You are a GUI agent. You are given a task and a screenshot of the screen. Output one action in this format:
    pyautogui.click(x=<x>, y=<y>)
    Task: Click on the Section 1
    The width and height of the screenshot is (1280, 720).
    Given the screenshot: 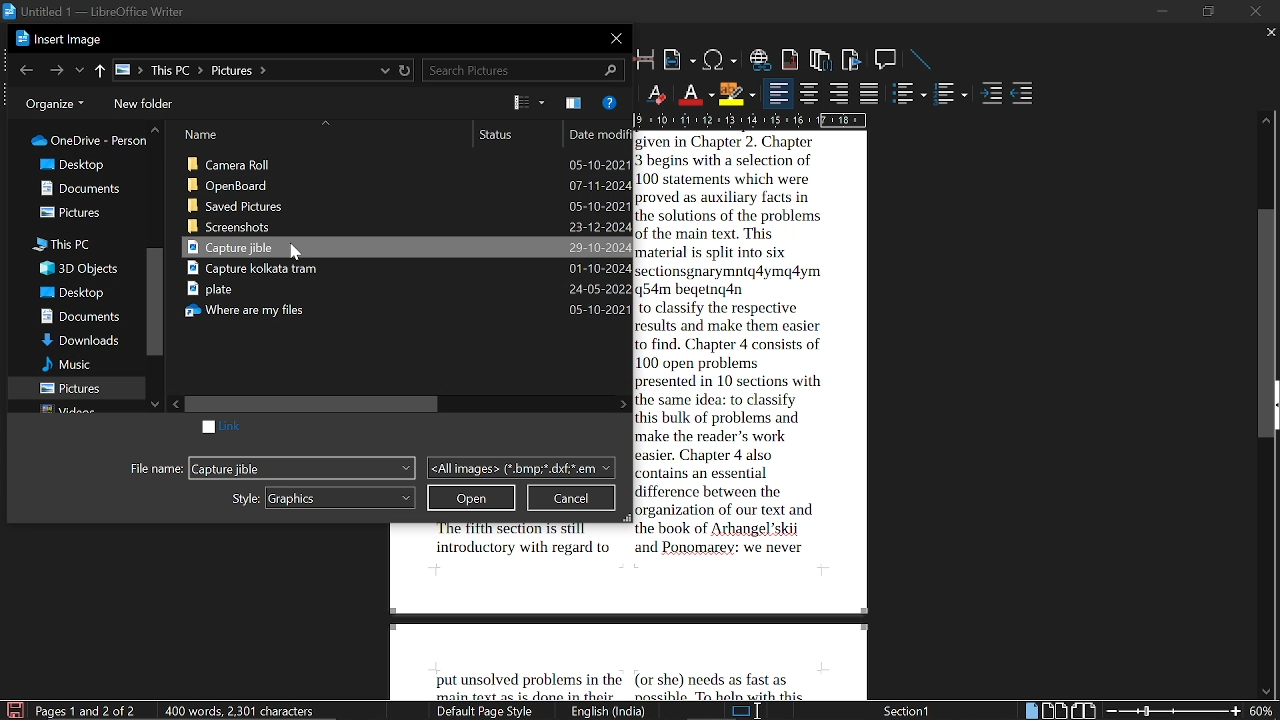 What is the action you would take?
    pyautogui.click(x=903, y=710)
    